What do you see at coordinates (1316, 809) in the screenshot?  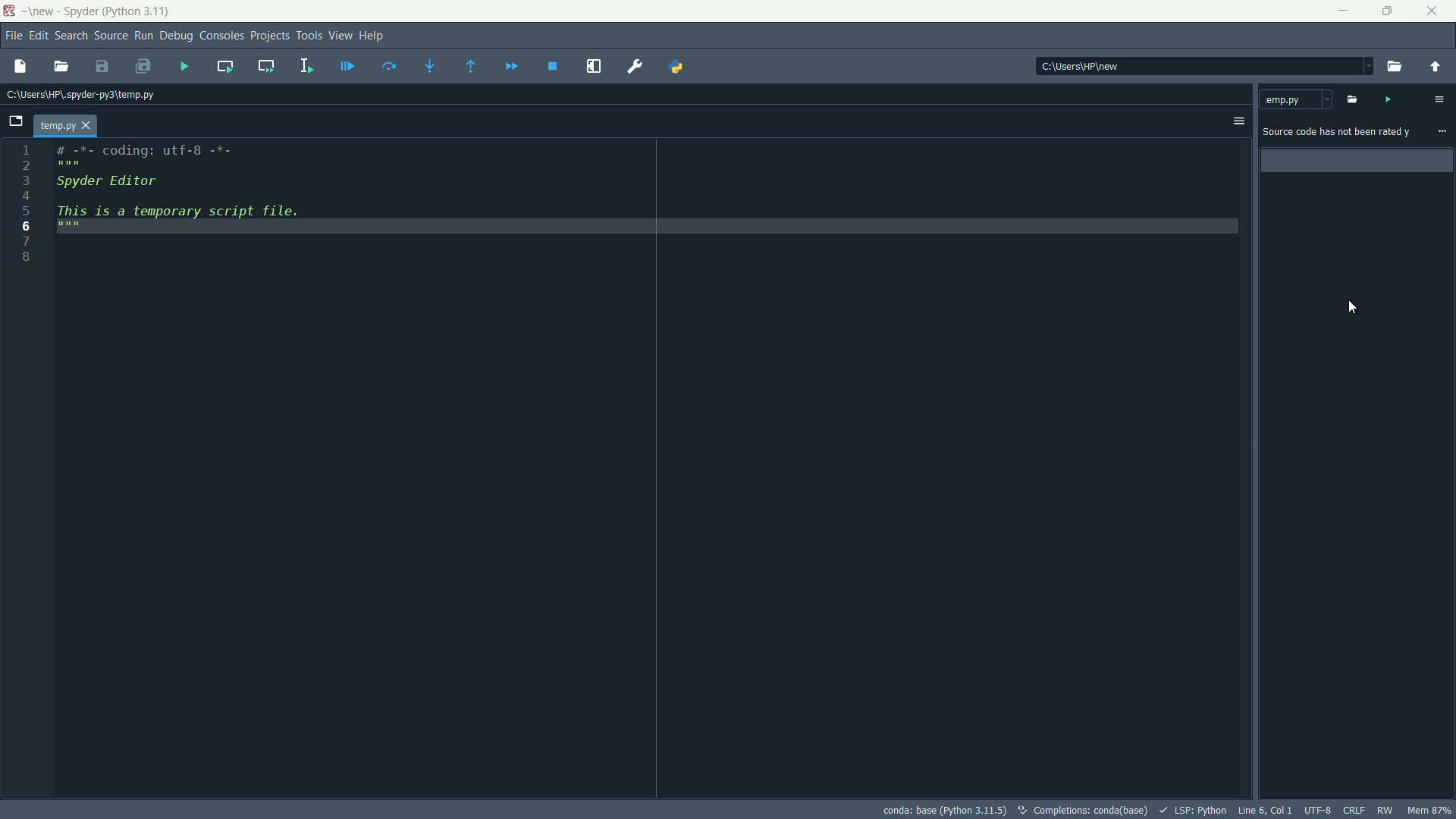 I see `file encoding` at bounding box center [1316, 809].